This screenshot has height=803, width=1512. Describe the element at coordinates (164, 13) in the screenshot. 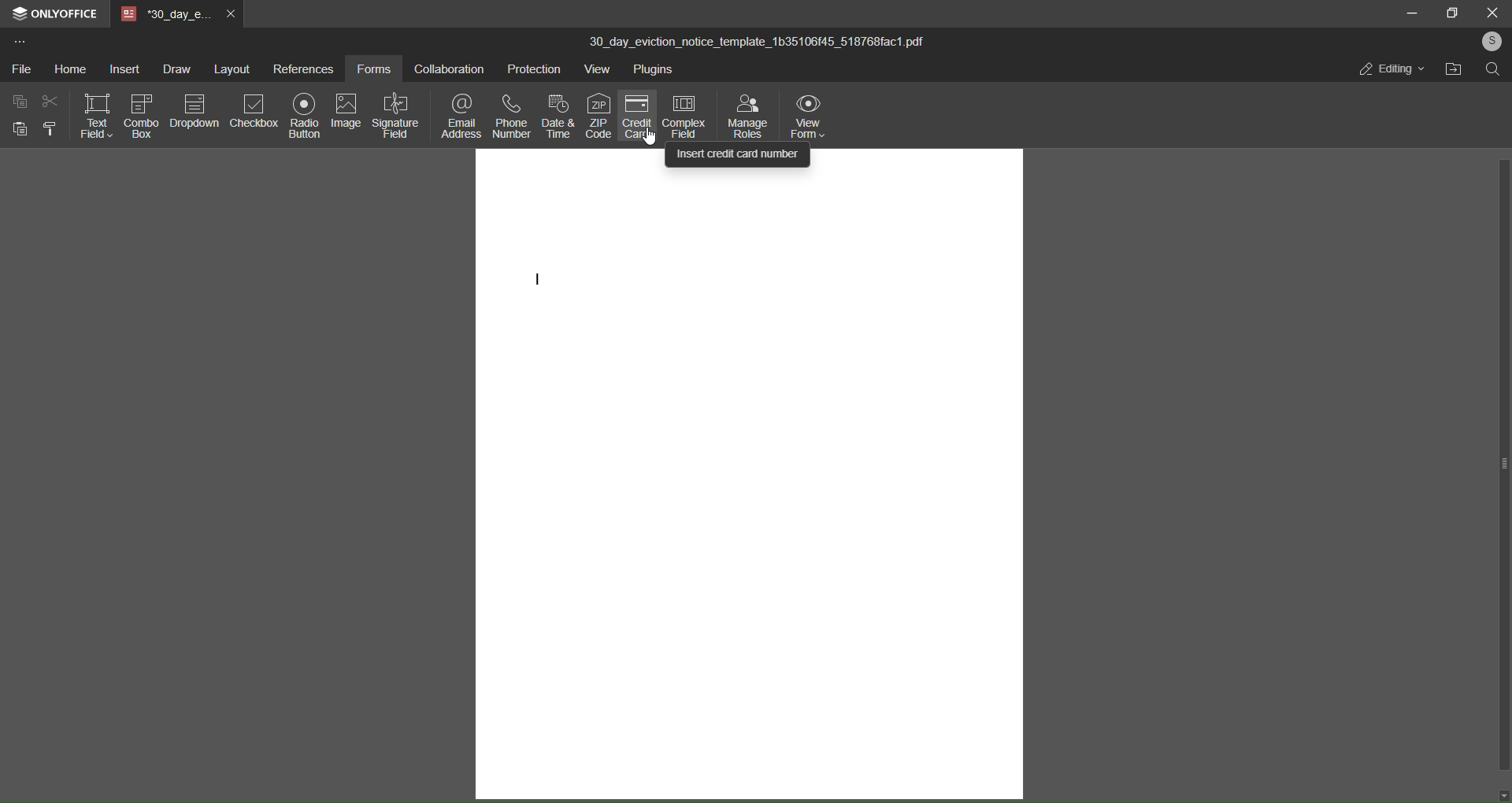

I see `tab name` at that location.